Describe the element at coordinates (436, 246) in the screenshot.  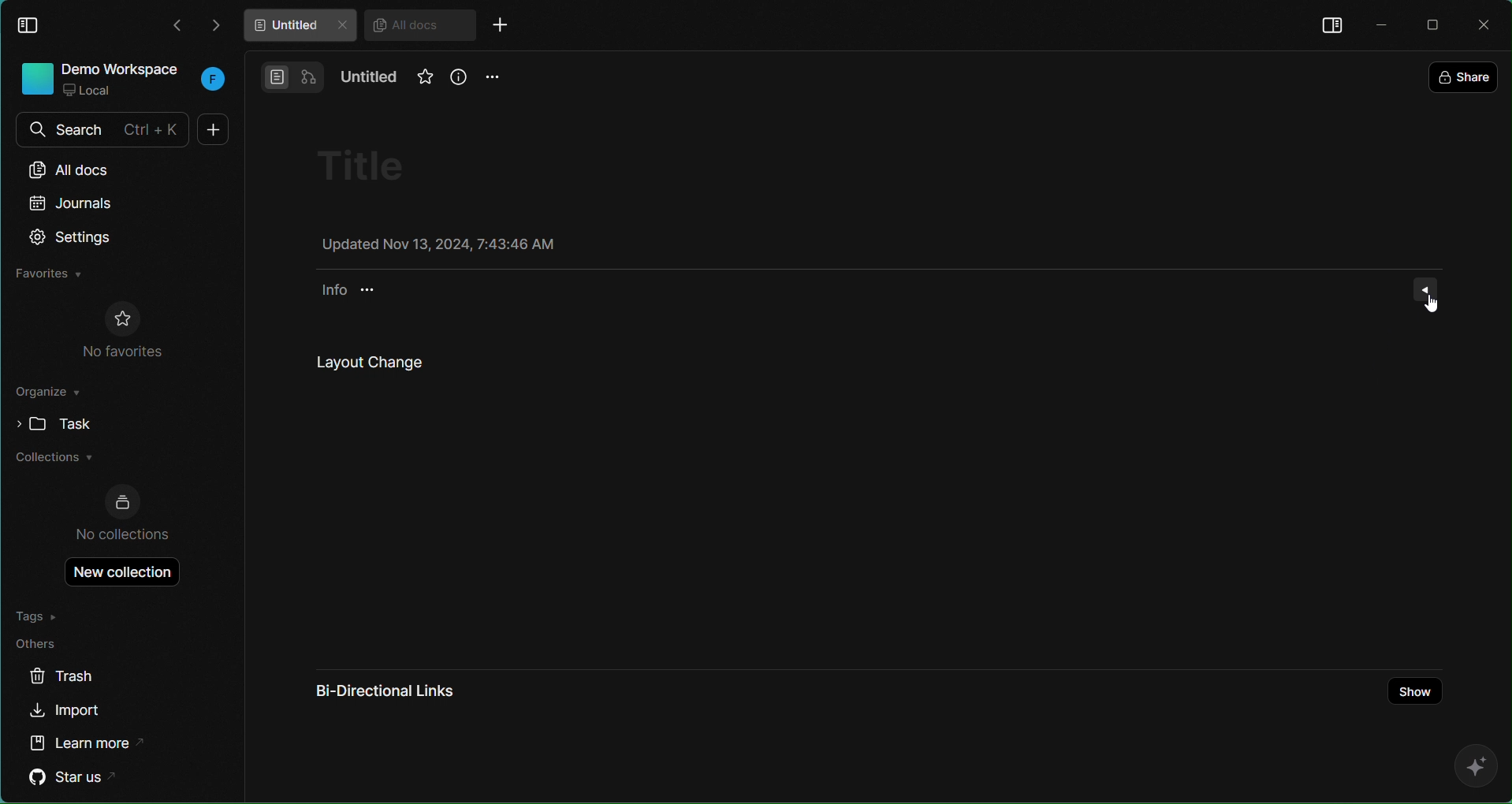
I see `Updated Nov 13, 2024, 7:43:46 AM` at that location.